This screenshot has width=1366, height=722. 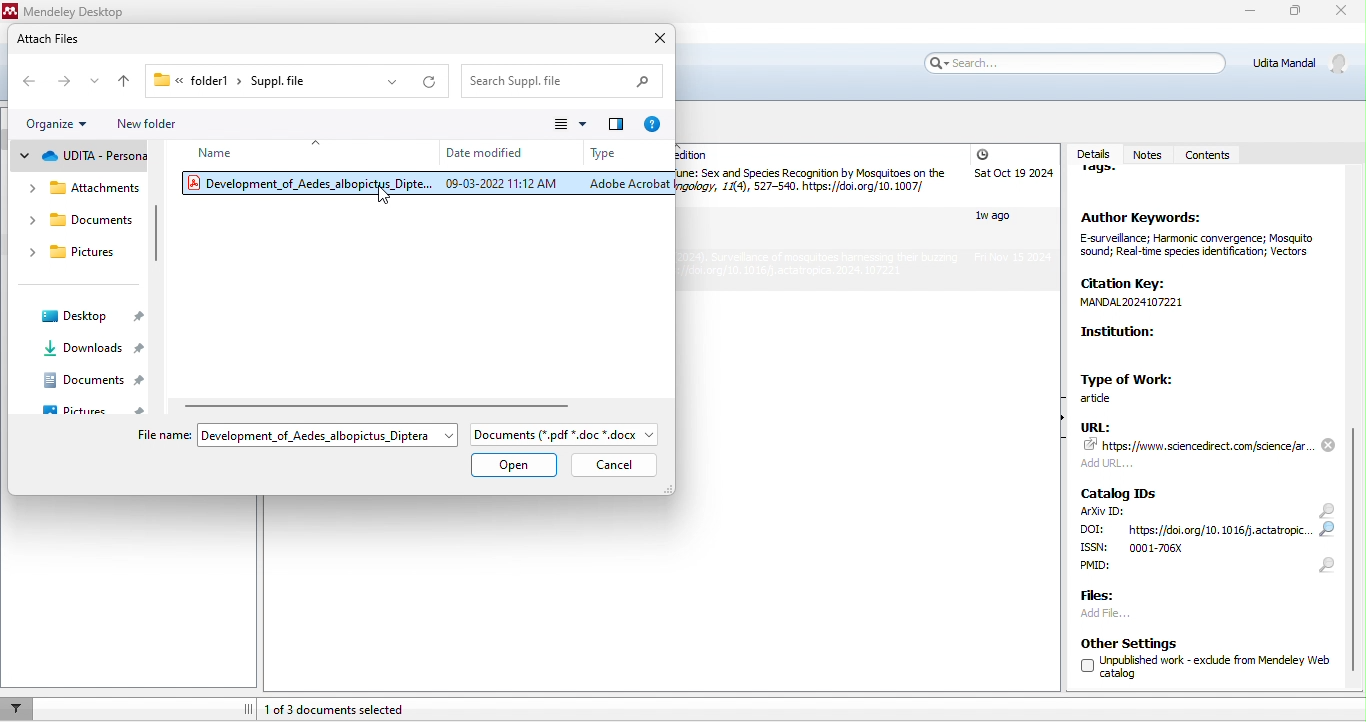 What do you see at coordinates (1147, 147) in the screenshot?
I see `notes` at bounding box center [1147, 147].